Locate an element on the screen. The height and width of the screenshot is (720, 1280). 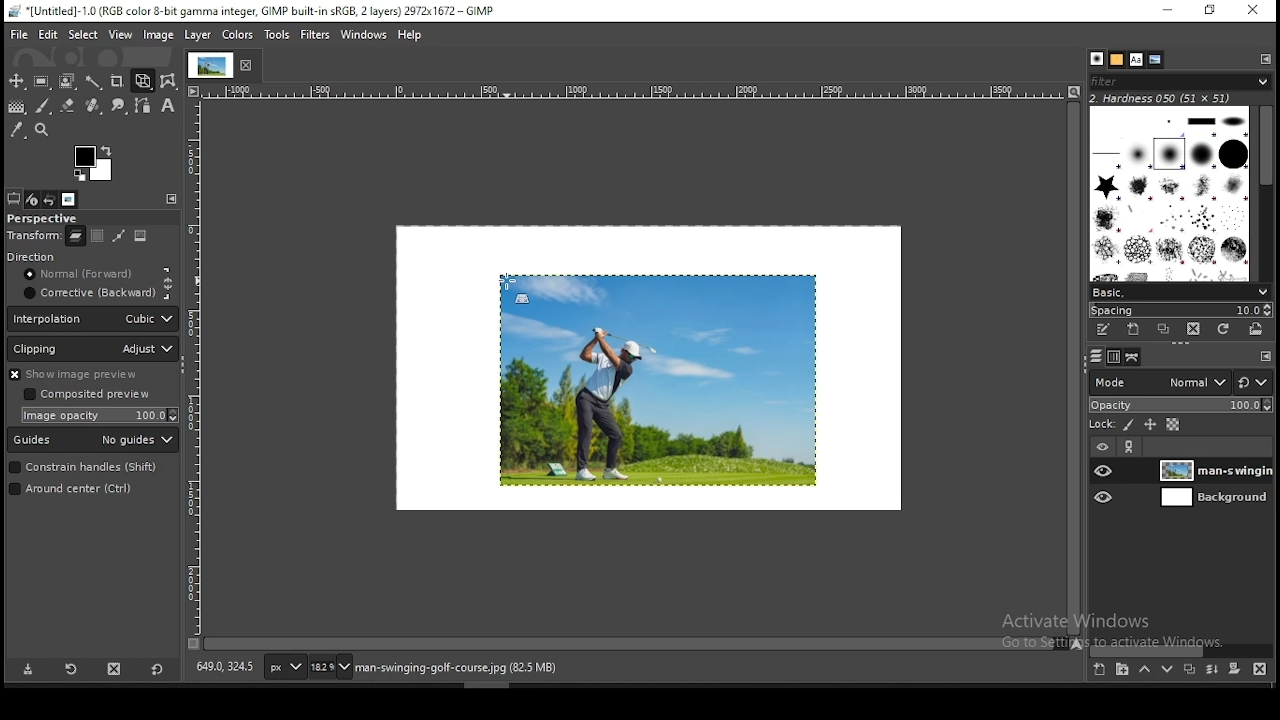
wrap transform is located at coordinates (170, 80).